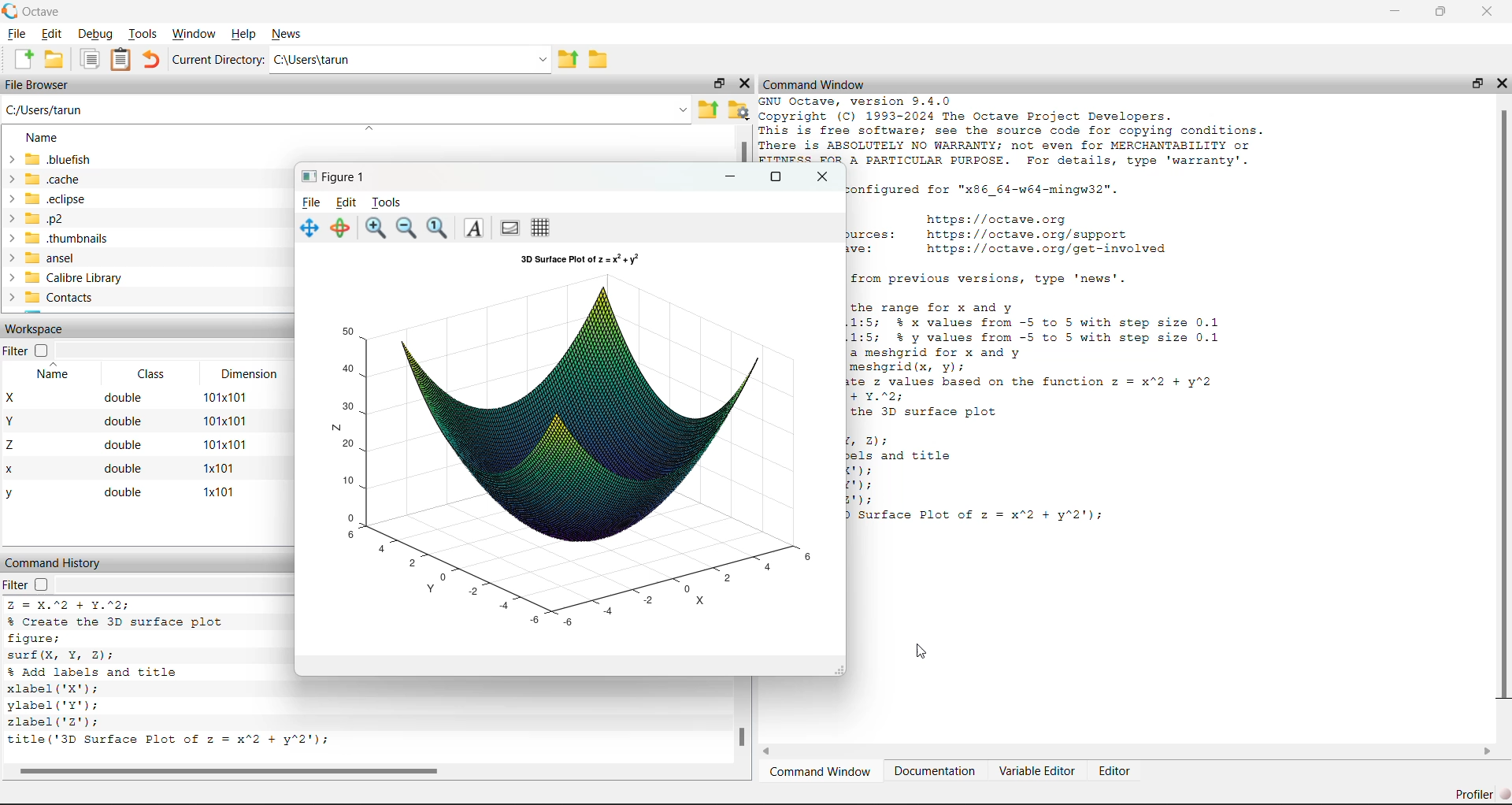 Image resolution: width=1512 pixels, height=805 pixels. Describe the element at coordinates (600, 59) in the screenshot. I see `Folder` at that location.